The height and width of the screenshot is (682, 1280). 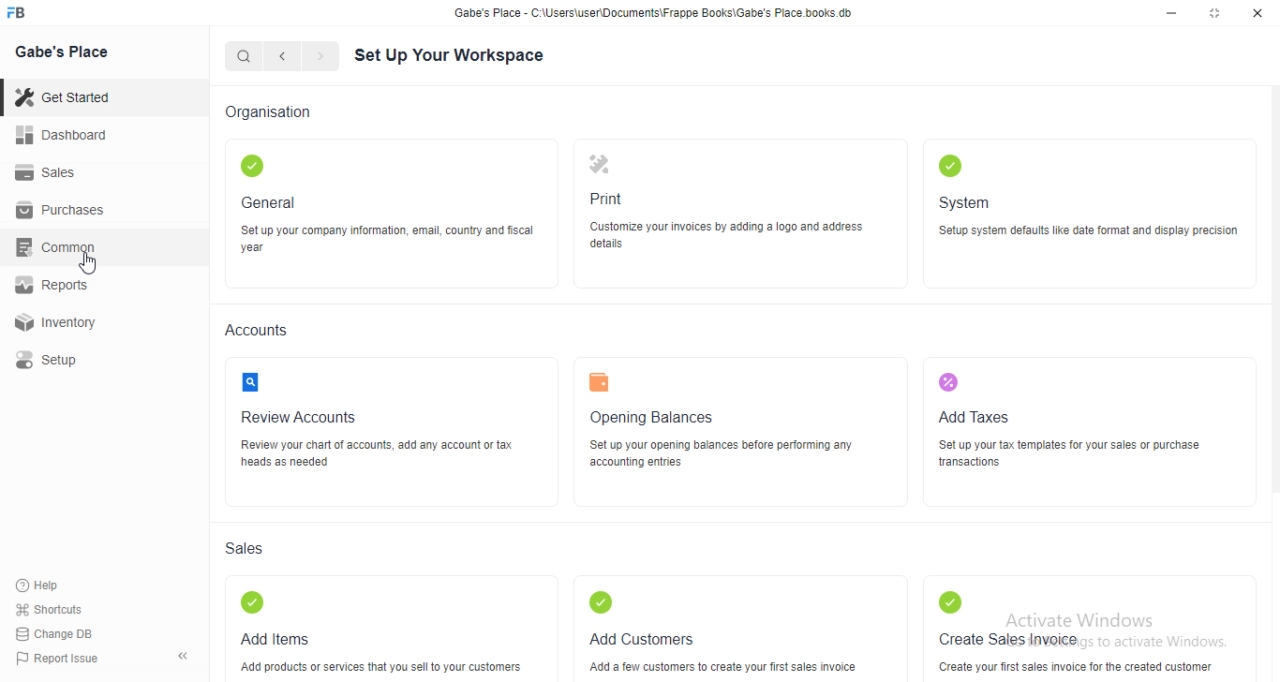 What do you see at coordinates (64, 51) in the screenshot?
I see `Gabe's Place` at bounding box center [64, 51].